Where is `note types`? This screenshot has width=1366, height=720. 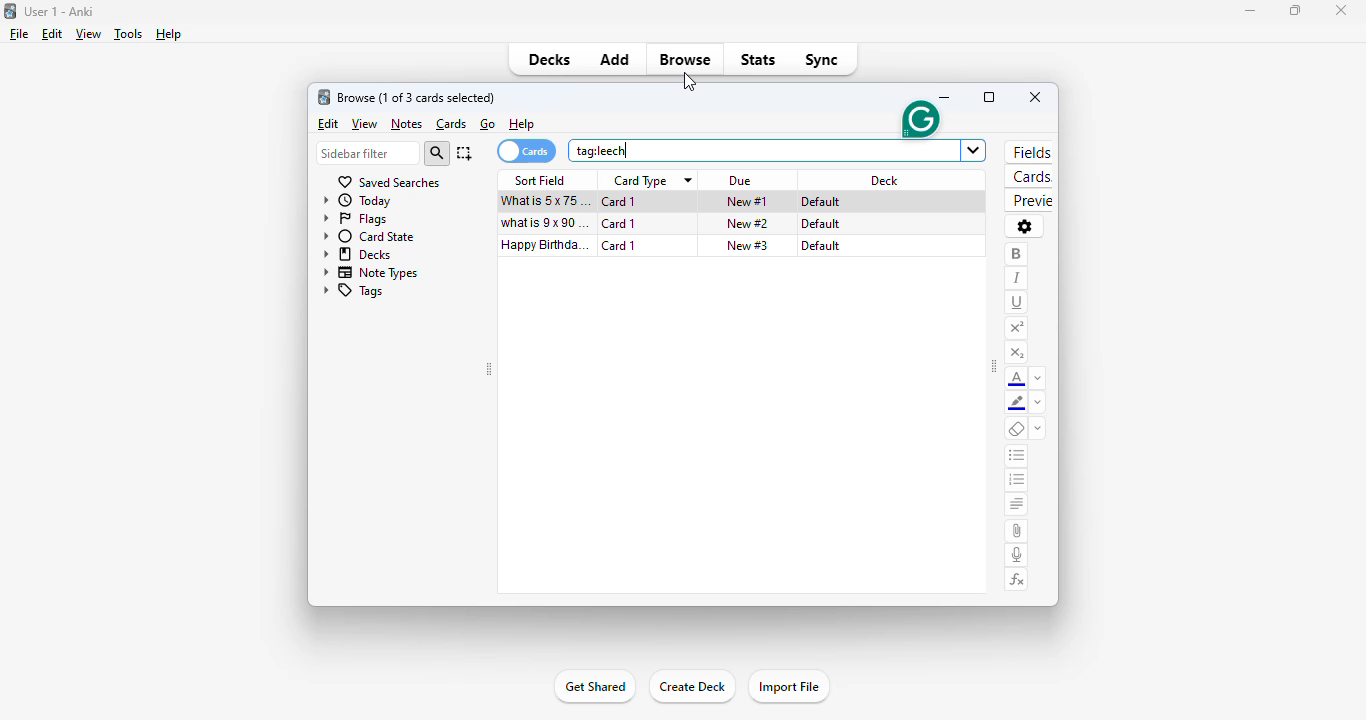 note types is located at coordinates (371, 273).